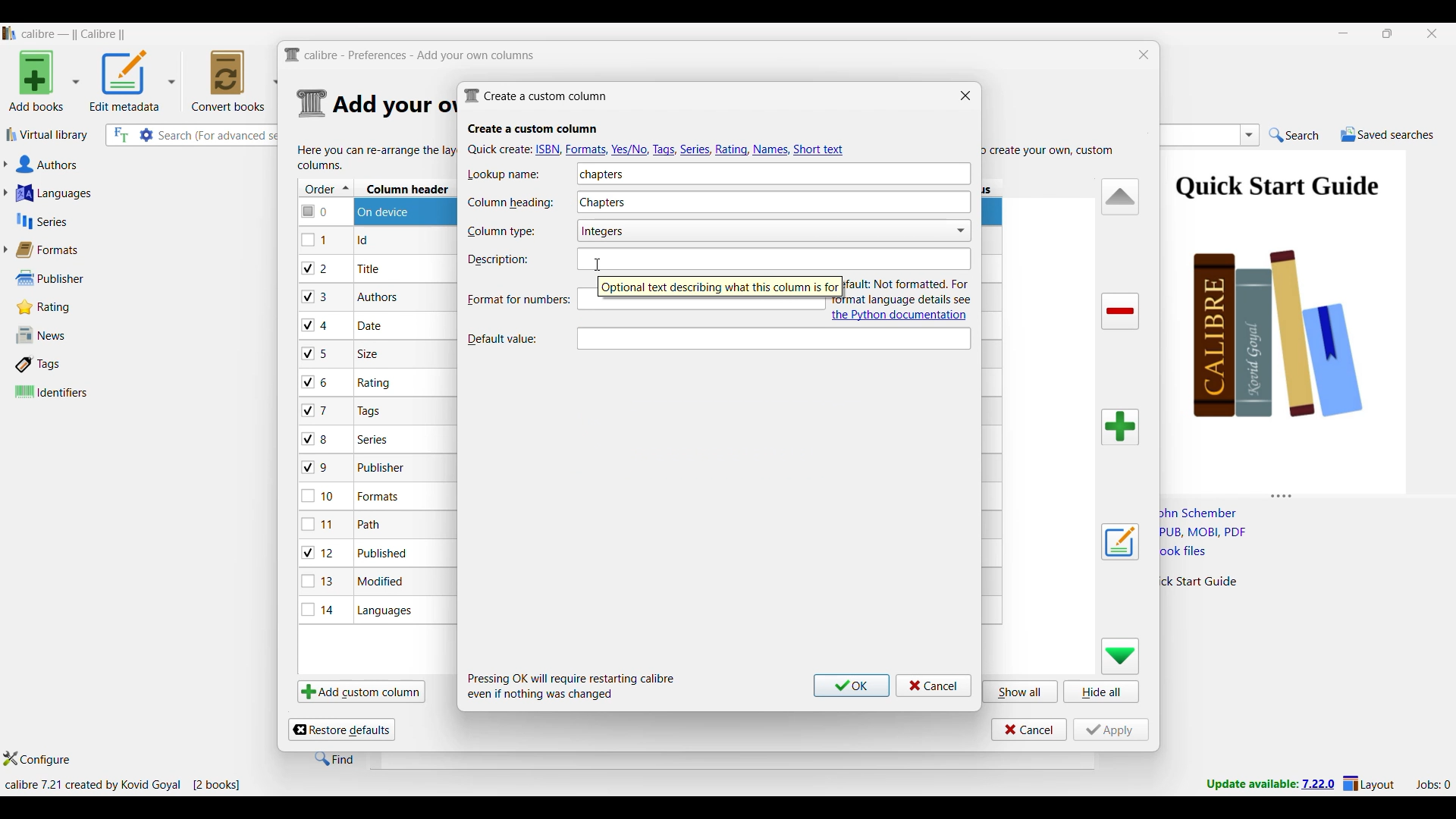  I want to click on checkbox - 8, so click(316, 438).